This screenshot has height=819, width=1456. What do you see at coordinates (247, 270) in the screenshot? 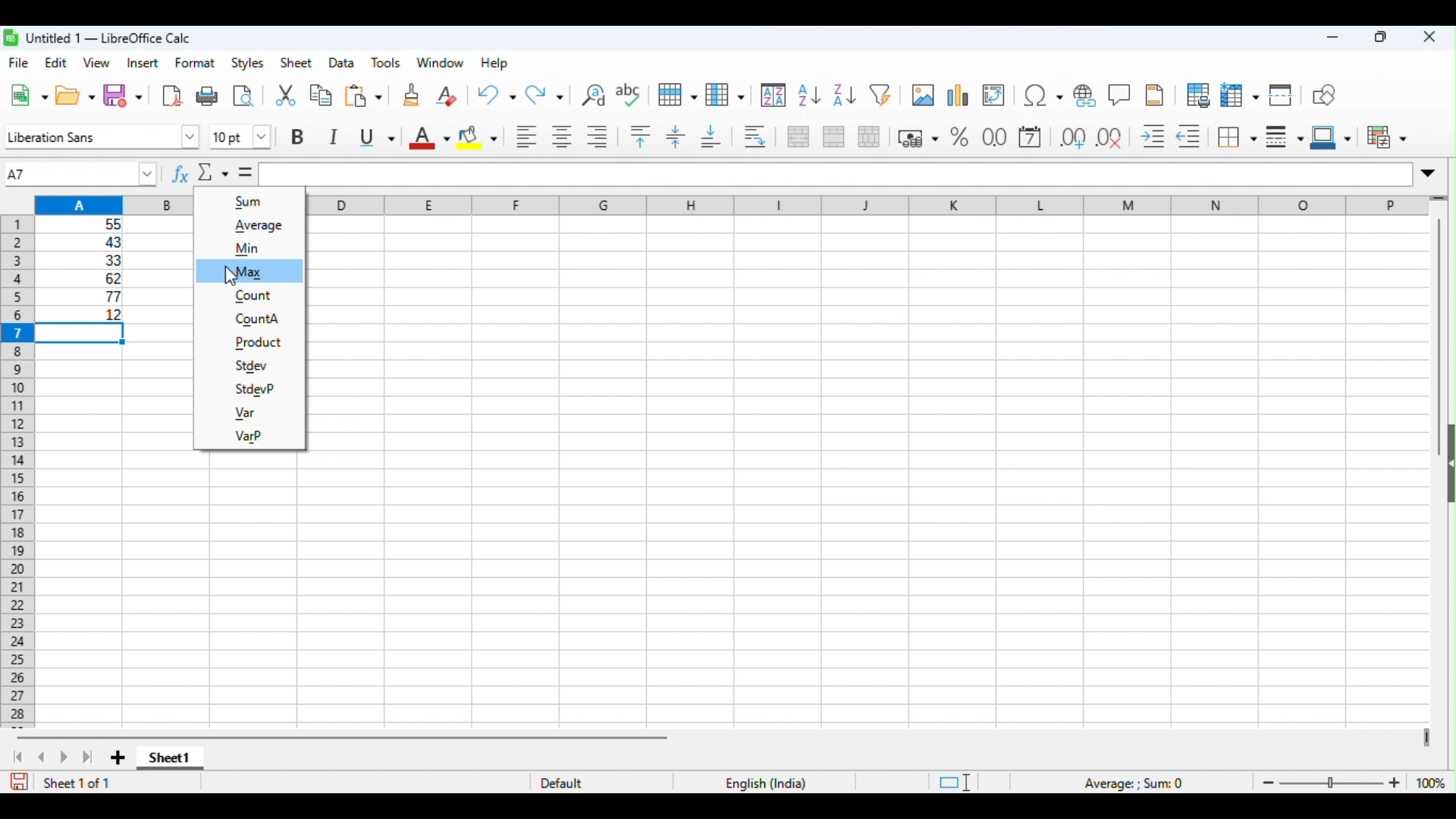
I see `Max` at bounding box center [247, 270].